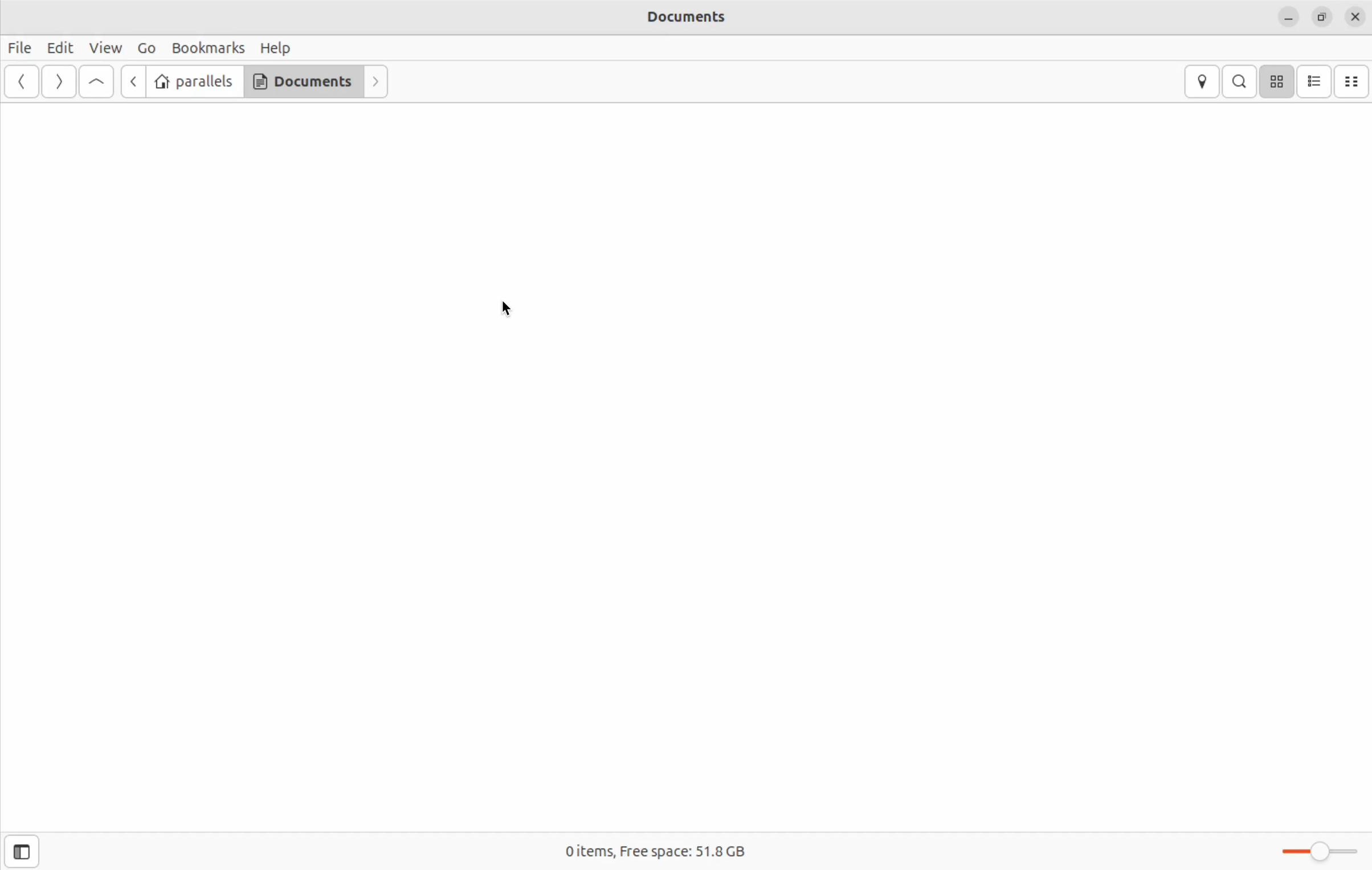  Describe the element at coordinates (145, 48) in the screenshot. I see `Go` at that location.